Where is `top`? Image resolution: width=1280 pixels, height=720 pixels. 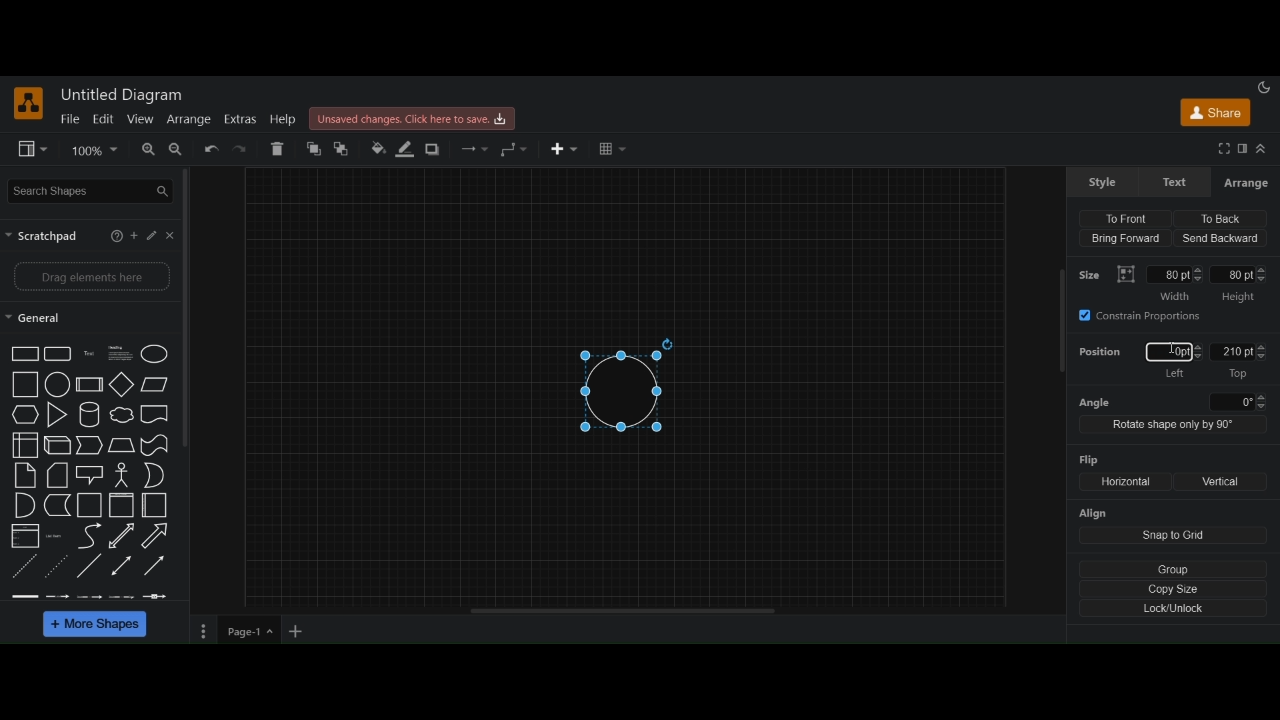
top is located at coordinates (1240, 361).